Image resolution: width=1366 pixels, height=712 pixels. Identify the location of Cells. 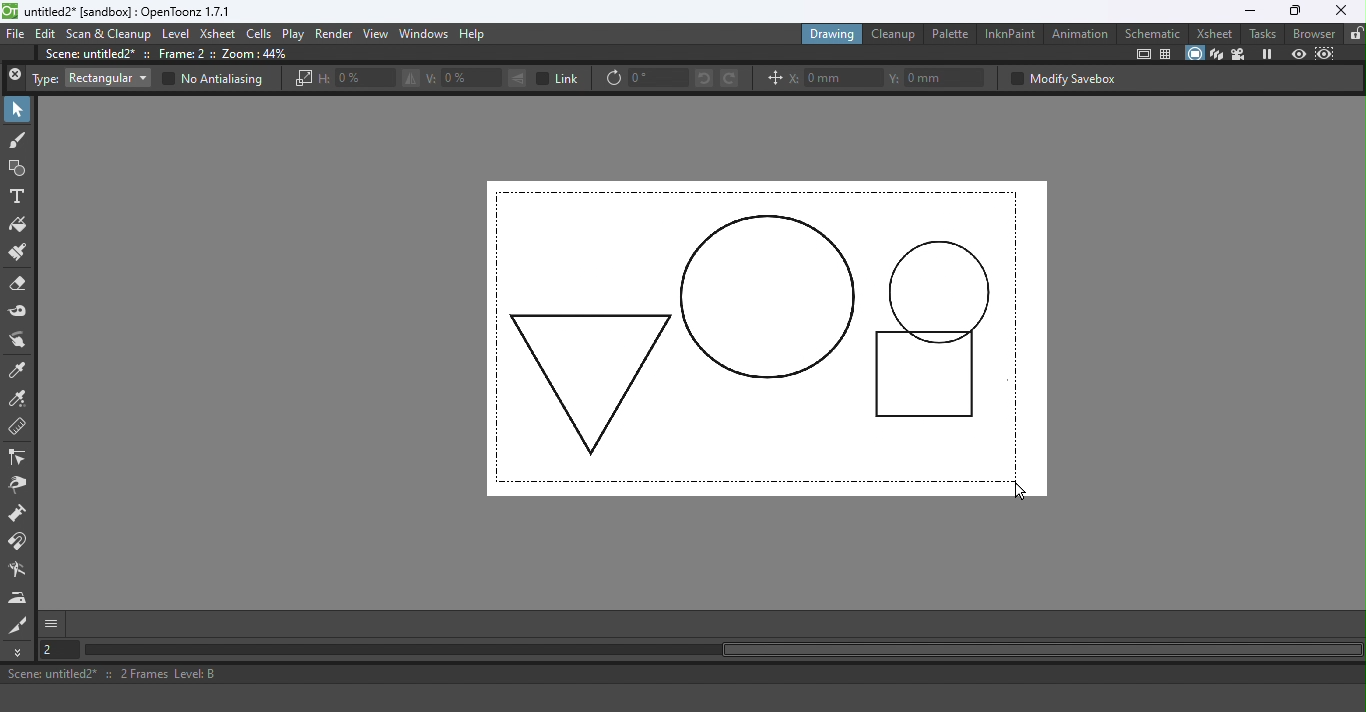
(260, 33).